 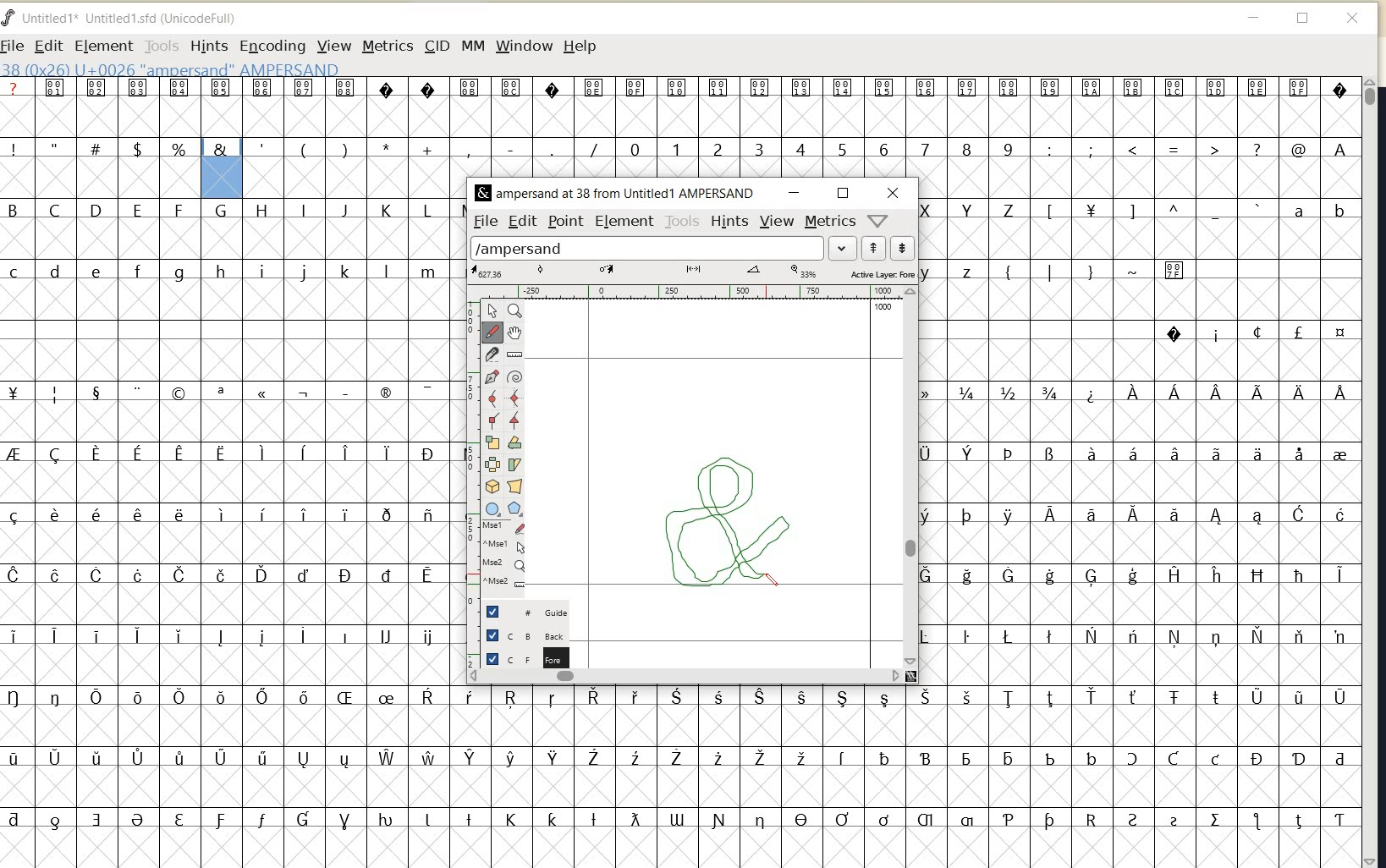 I want to click on scale the selection, so click(x=491, y=442).